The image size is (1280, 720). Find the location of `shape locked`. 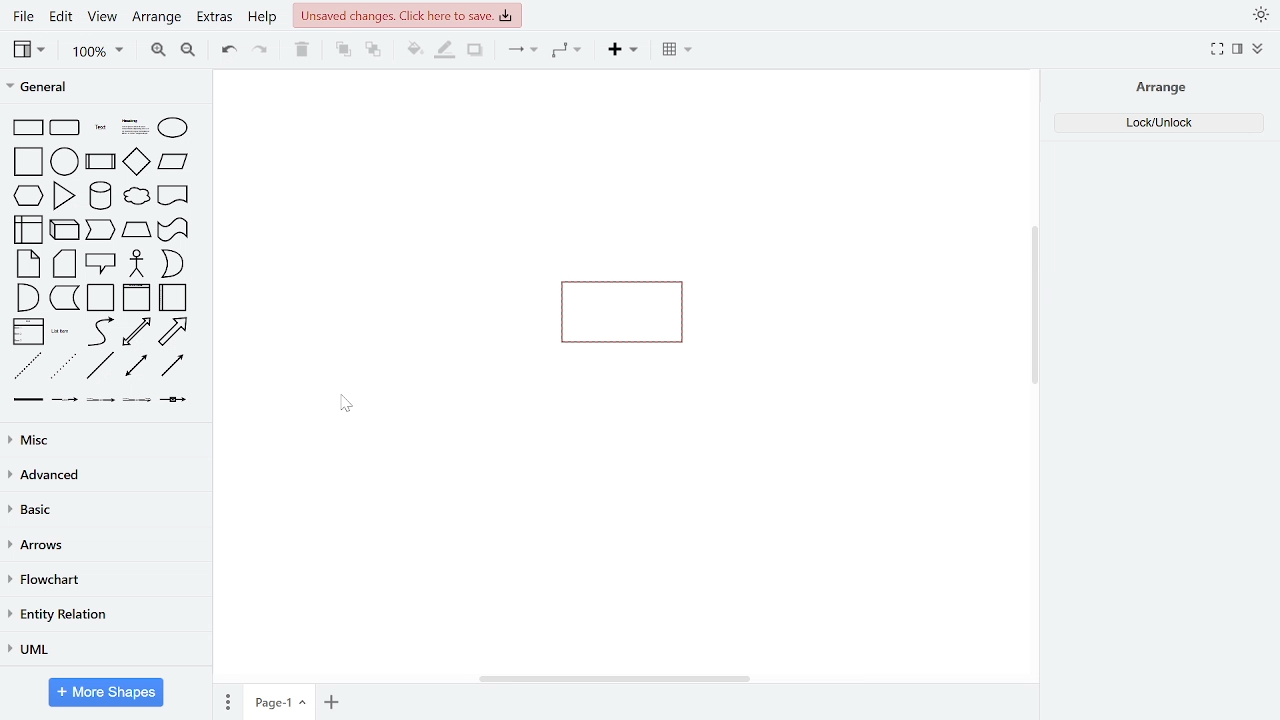

shape locked is located at coordinates (637, 317).